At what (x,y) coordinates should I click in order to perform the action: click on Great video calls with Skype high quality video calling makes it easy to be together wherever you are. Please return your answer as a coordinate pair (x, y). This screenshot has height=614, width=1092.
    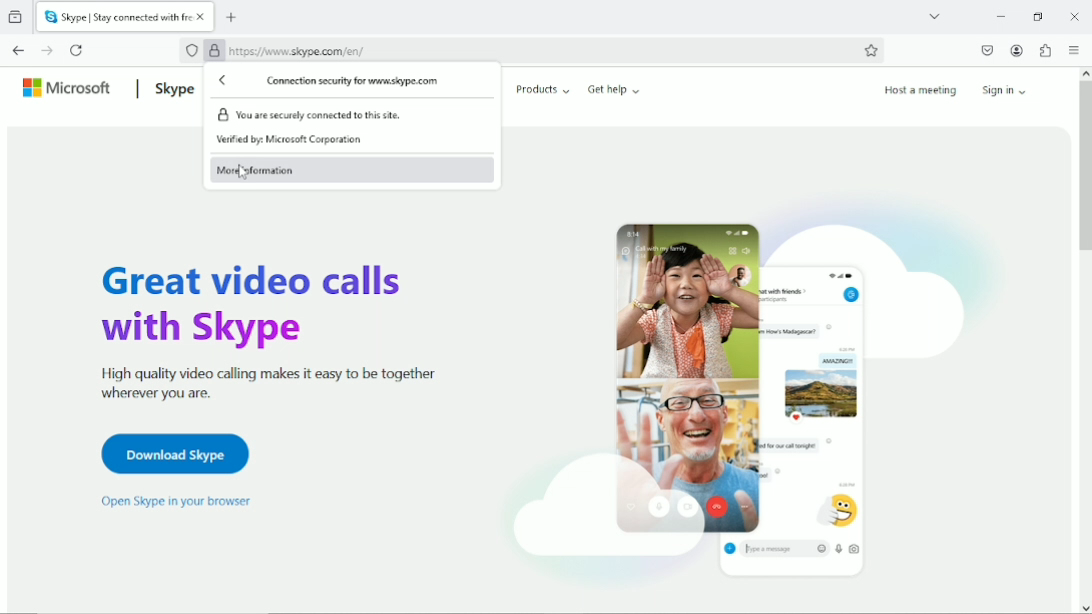
    Looking at the image, I should click on (261, 329).